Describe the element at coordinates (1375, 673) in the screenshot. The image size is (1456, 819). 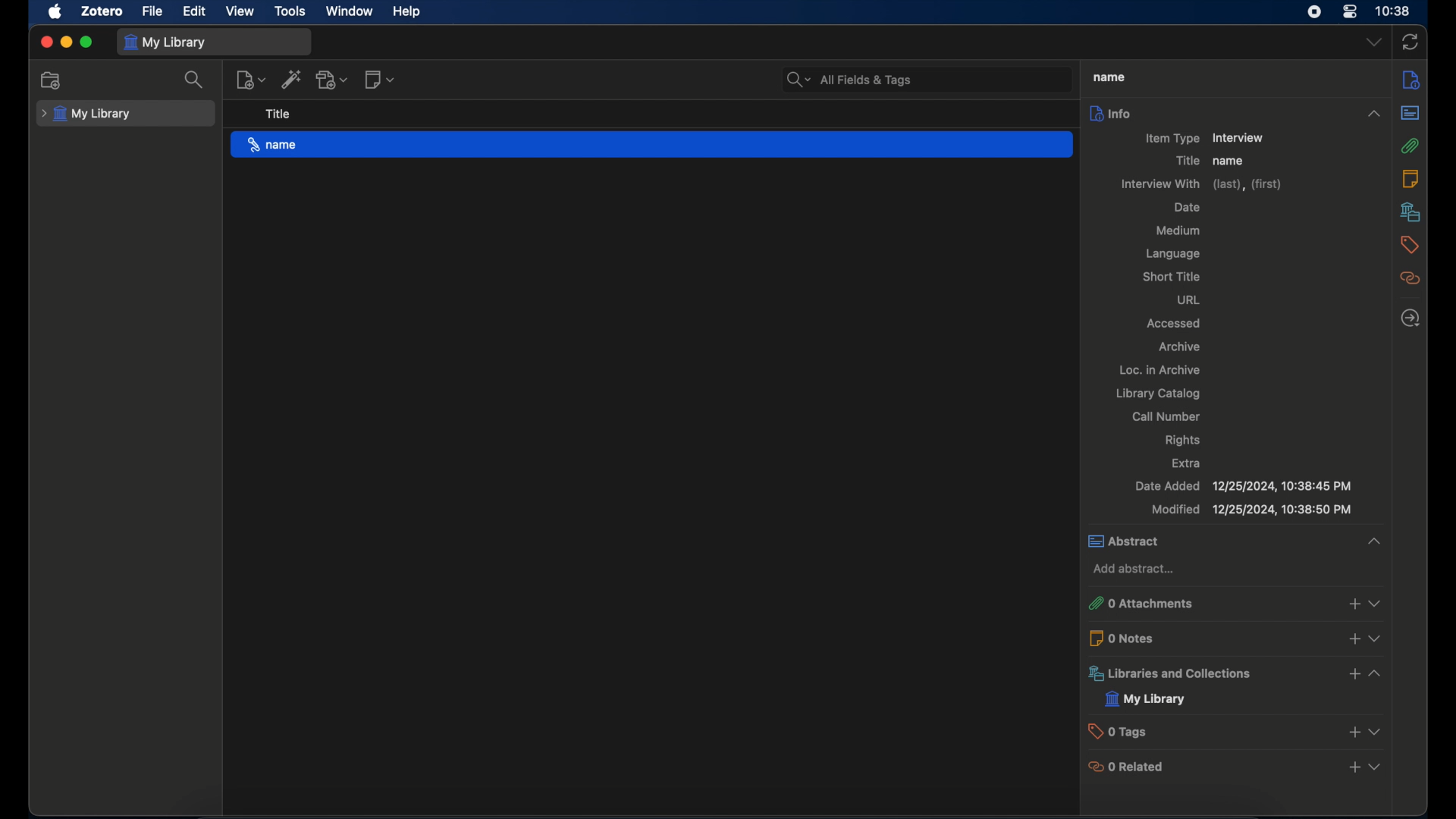
I see `view` at that location.